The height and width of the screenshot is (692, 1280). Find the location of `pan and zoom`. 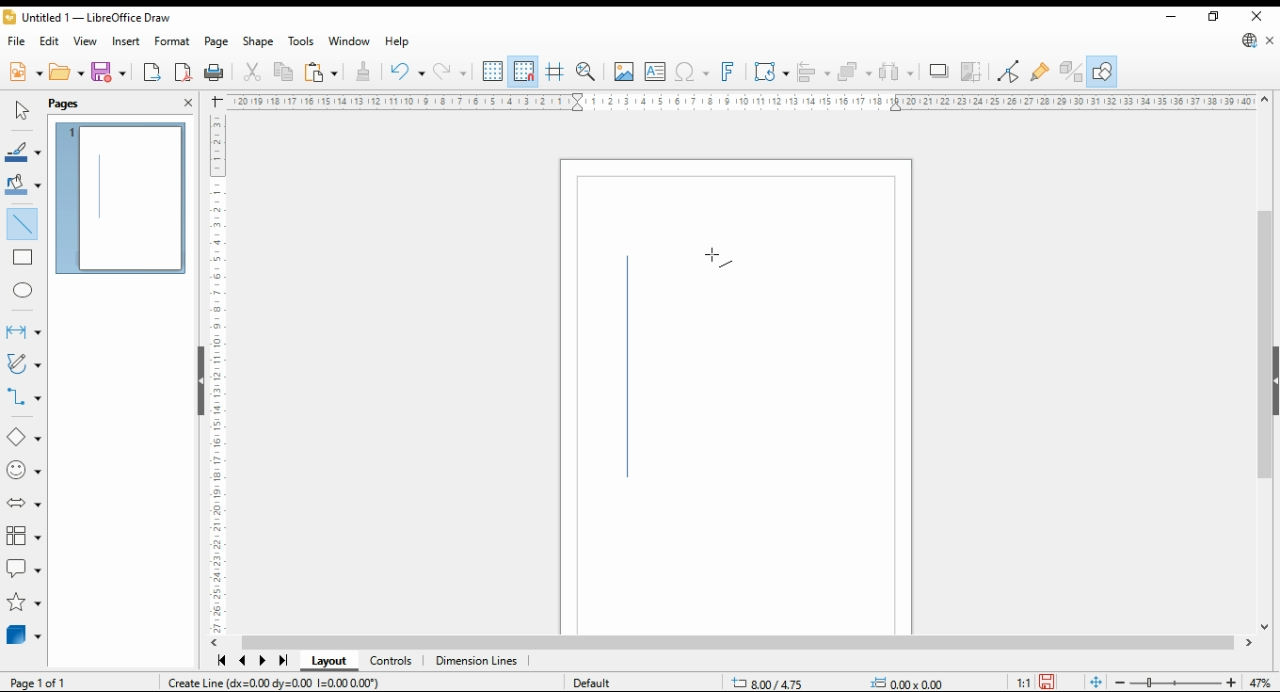

pan and zoom is located at coordinates (586, 72).